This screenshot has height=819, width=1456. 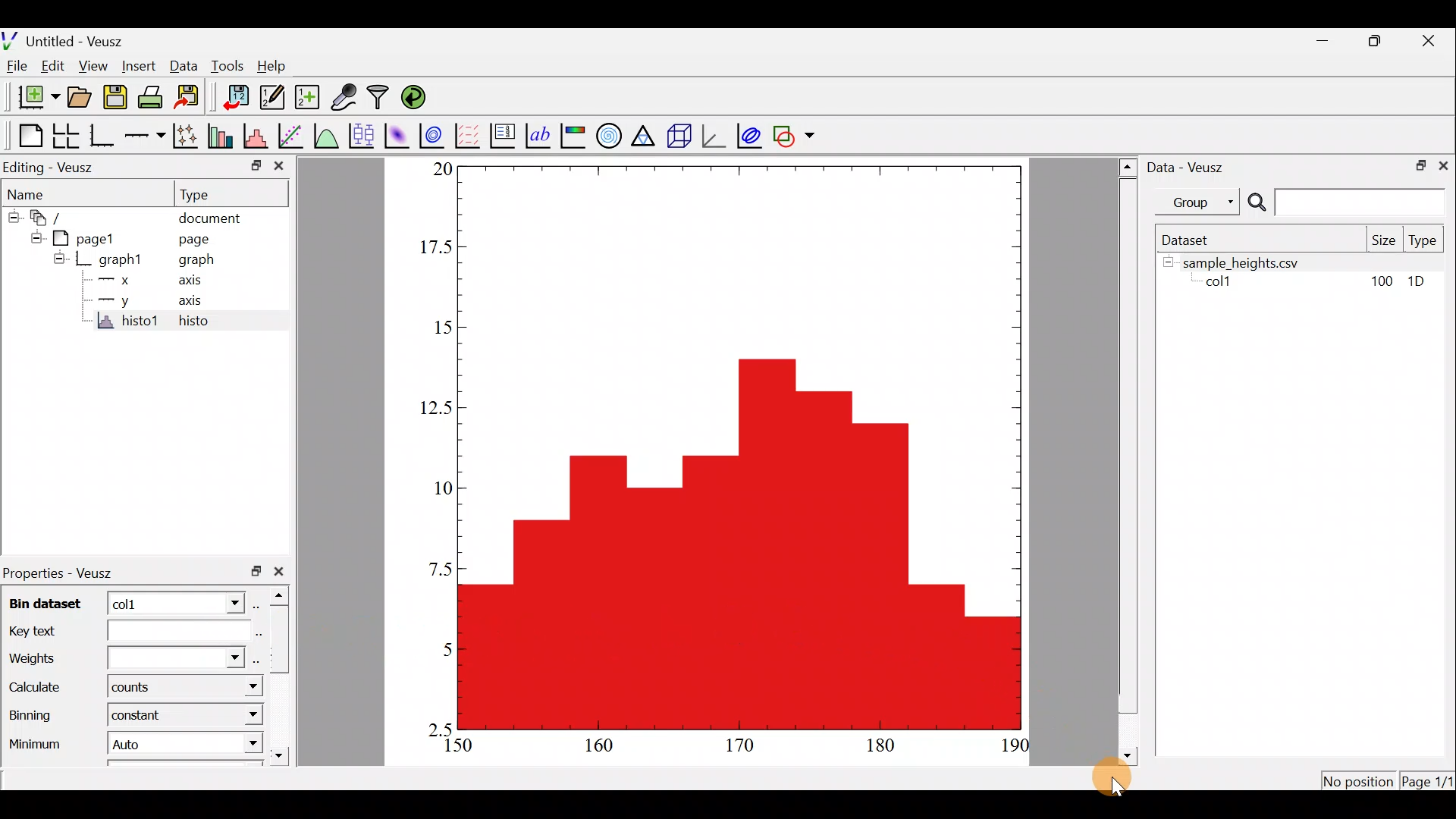 I want to click on Filter data, so click(x=381, y=96).